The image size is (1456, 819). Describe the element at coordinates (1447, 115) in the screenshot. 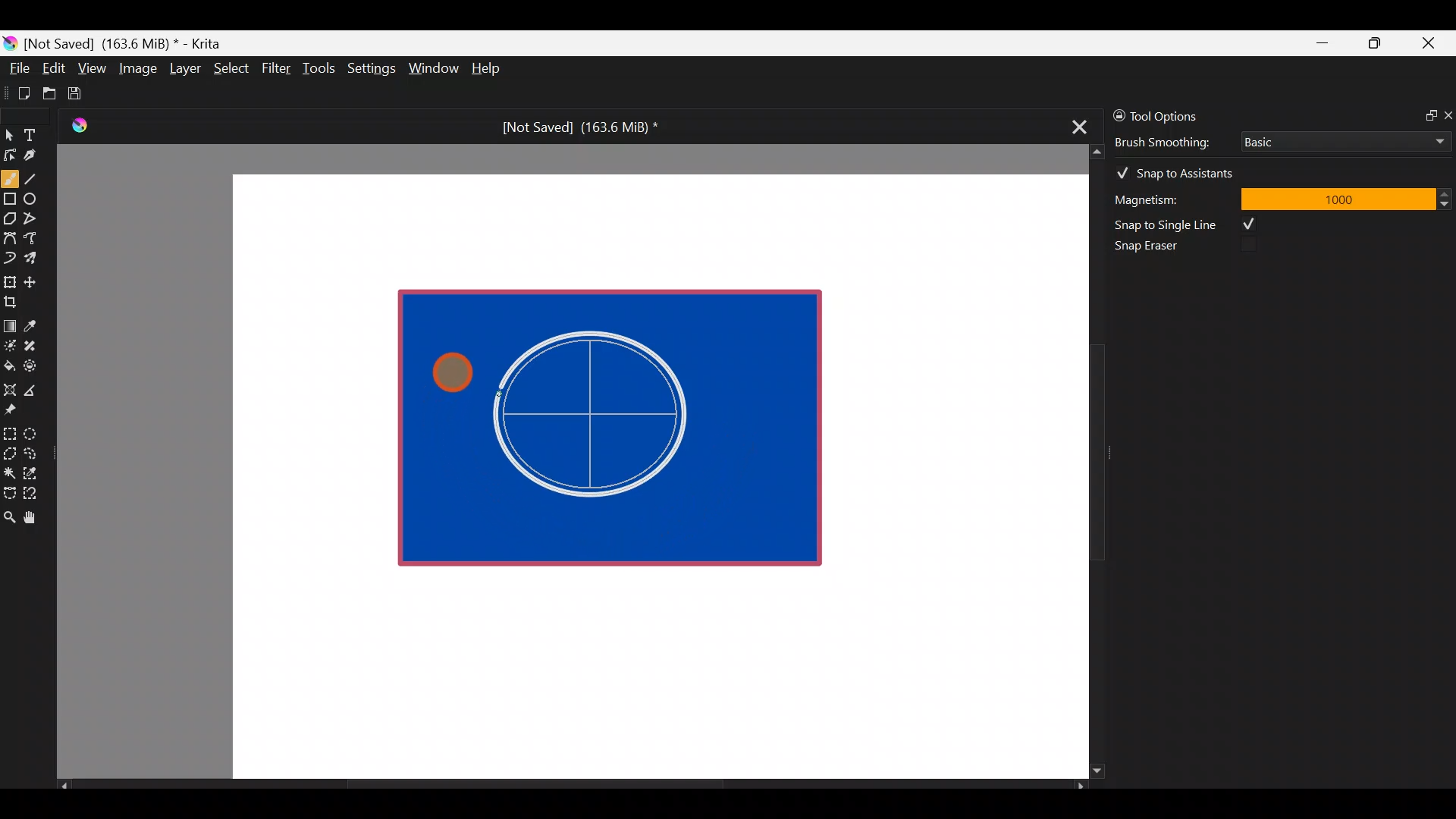

I see `Close docker` at that location.